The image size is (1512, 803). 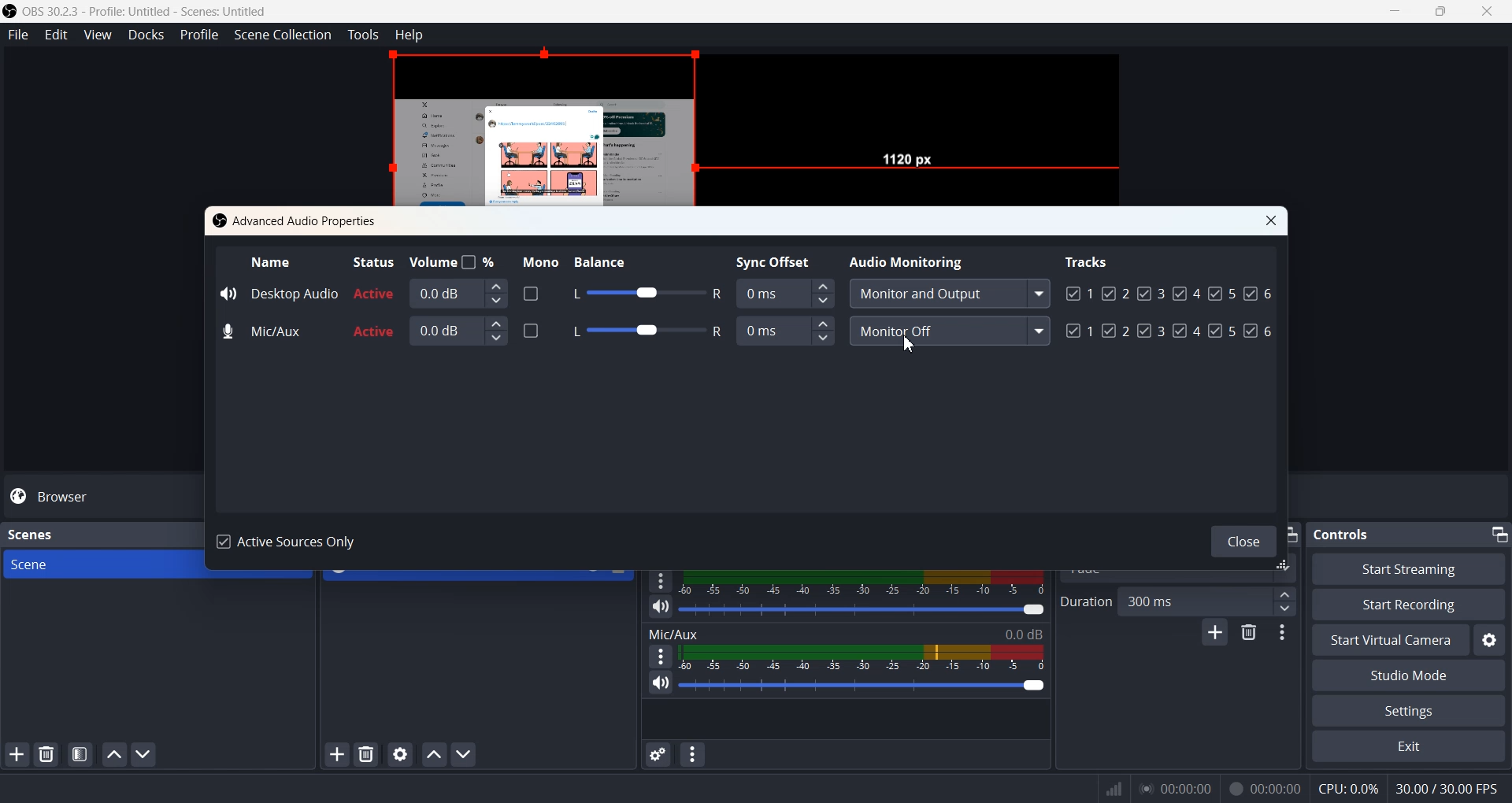 What do you see at coordinates (1266, 786) in the screenshot?
I see `00:00:00` at bounding box center [1266, 786].